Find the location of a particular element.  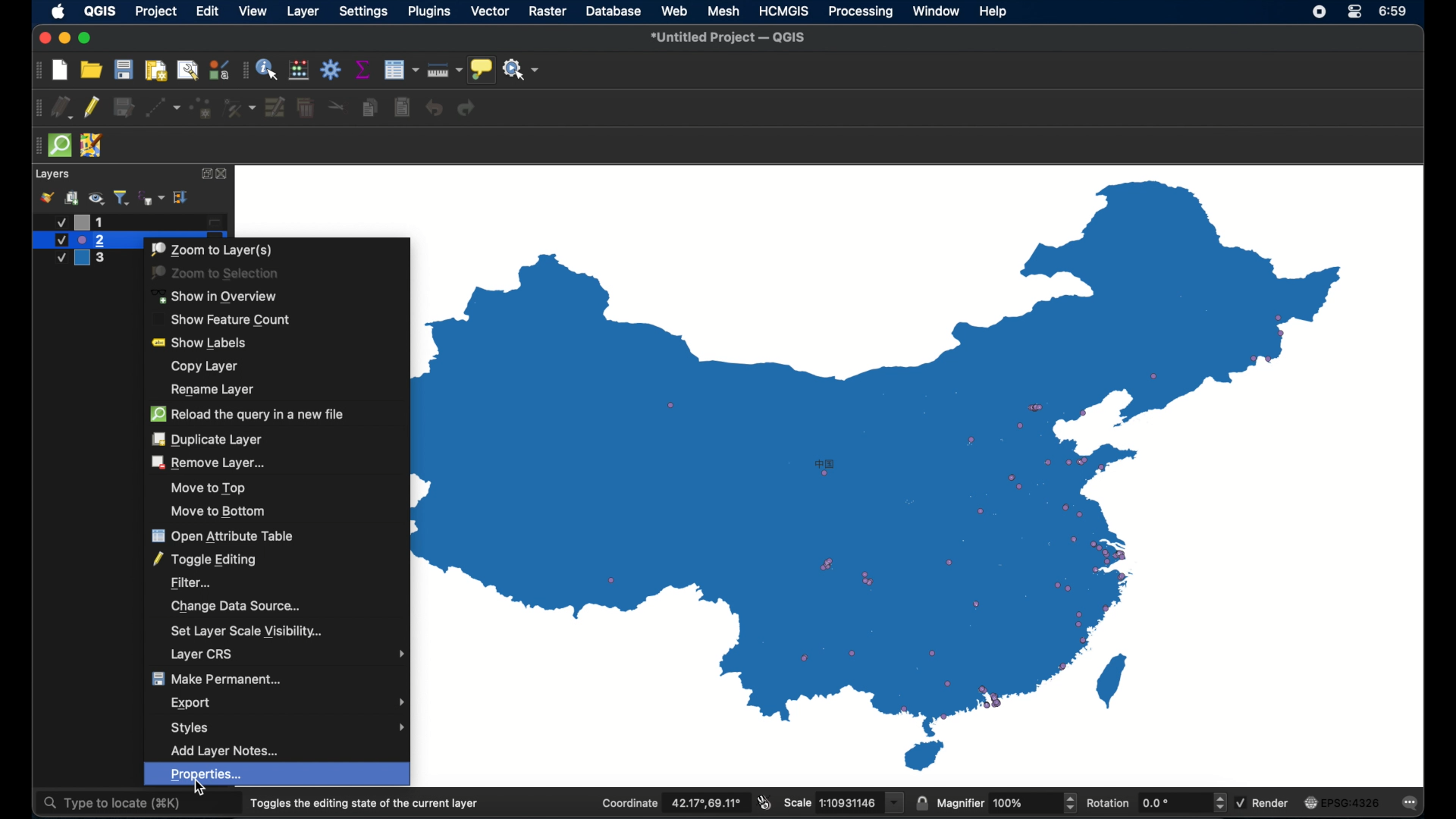

current crs is located at coordinates (1343, 802).